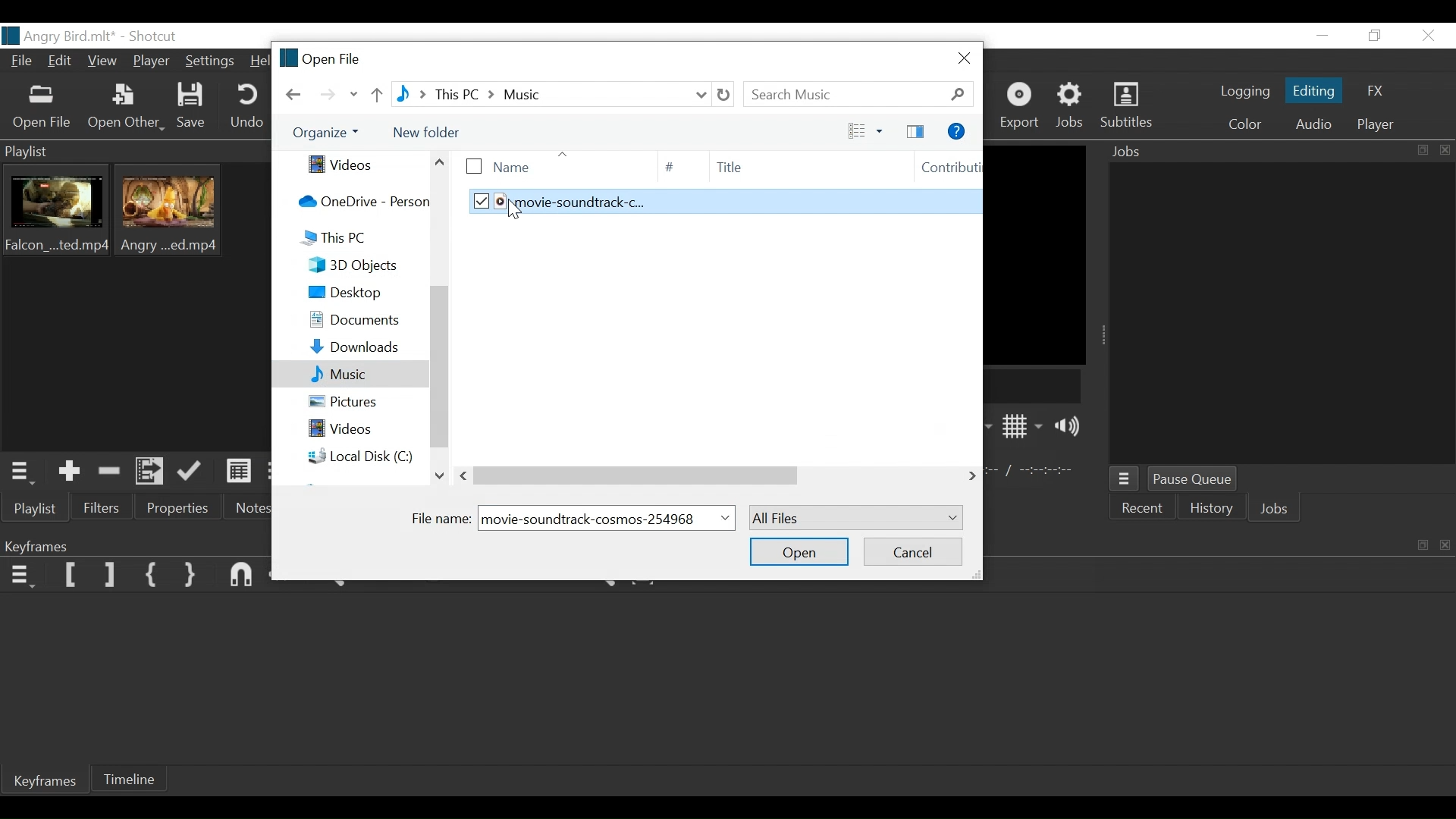 The height and width of the screenshot is (819, 1456). Describe the element at coordinates (854, 518) in the screenshot. I see `Select type of file` at that location.